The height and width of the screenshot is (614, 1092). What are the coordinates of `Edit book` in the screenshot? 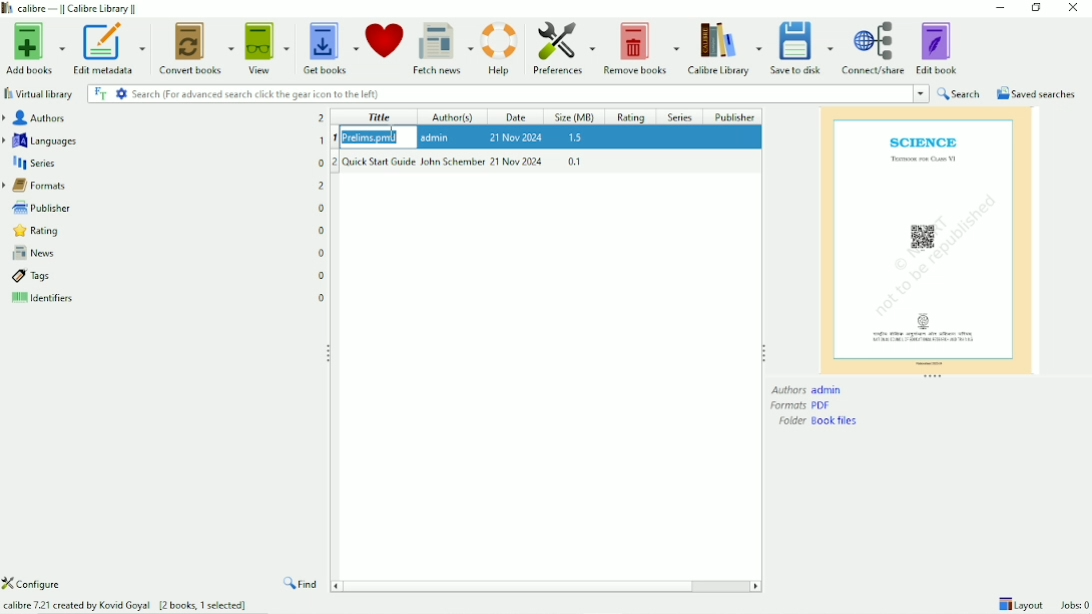 It's located at (940, 47).